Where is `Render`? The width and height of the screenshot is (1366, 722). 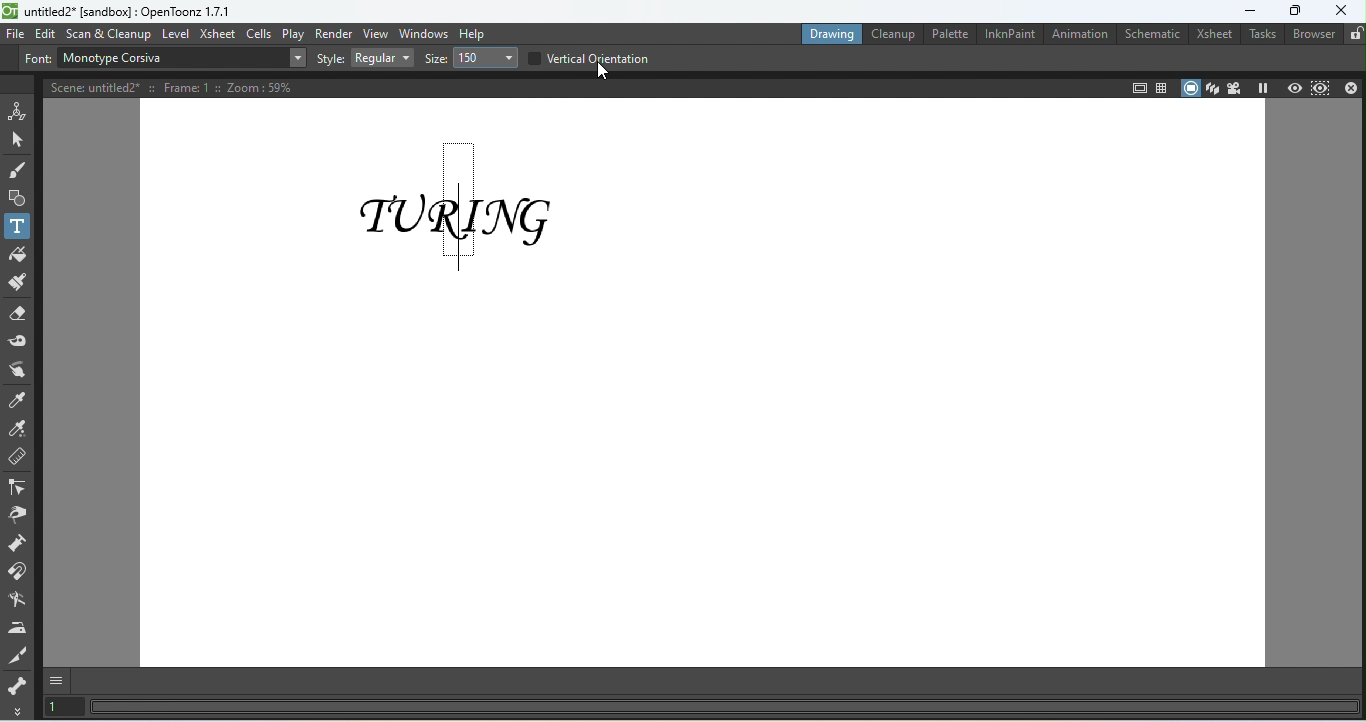
Render is located at coordinates (333, 32).